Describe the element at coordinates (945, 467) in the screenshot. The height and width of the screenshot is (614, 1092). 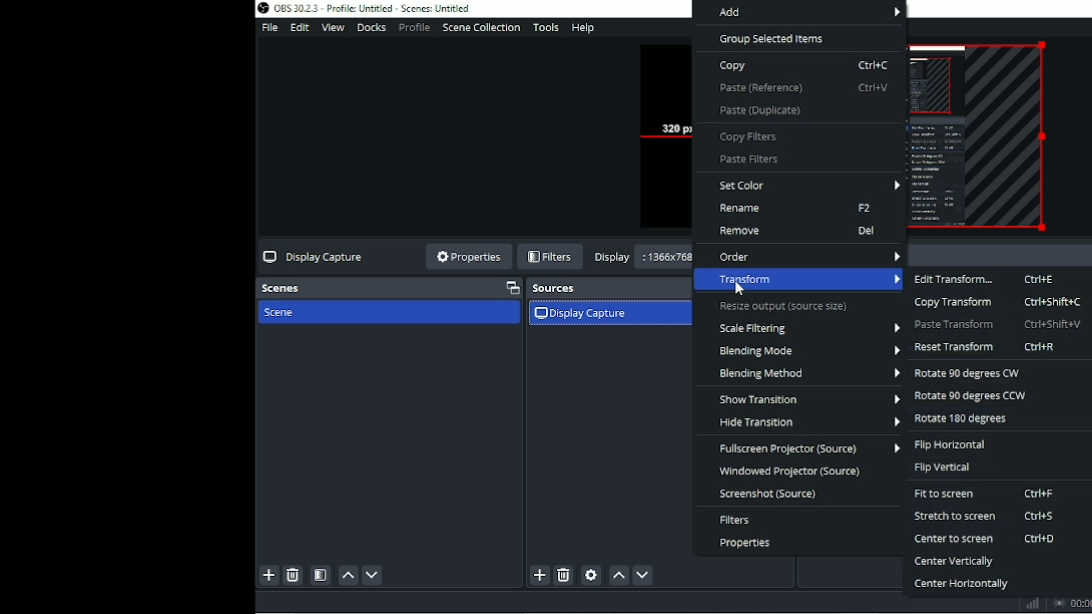
I see `Flip vertical` at that location.